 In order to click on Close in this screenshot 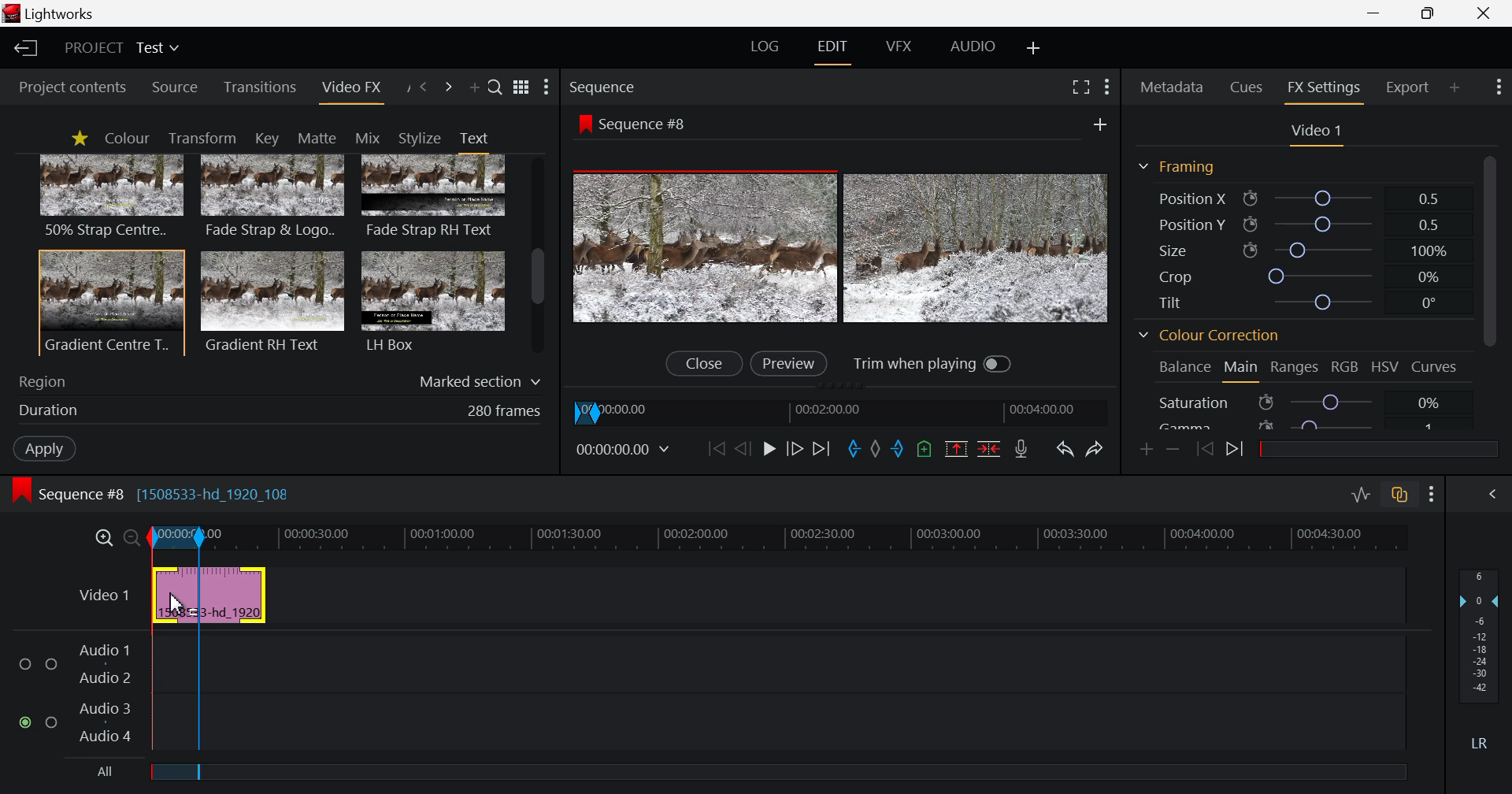, I will do `click(1485, 13)`.